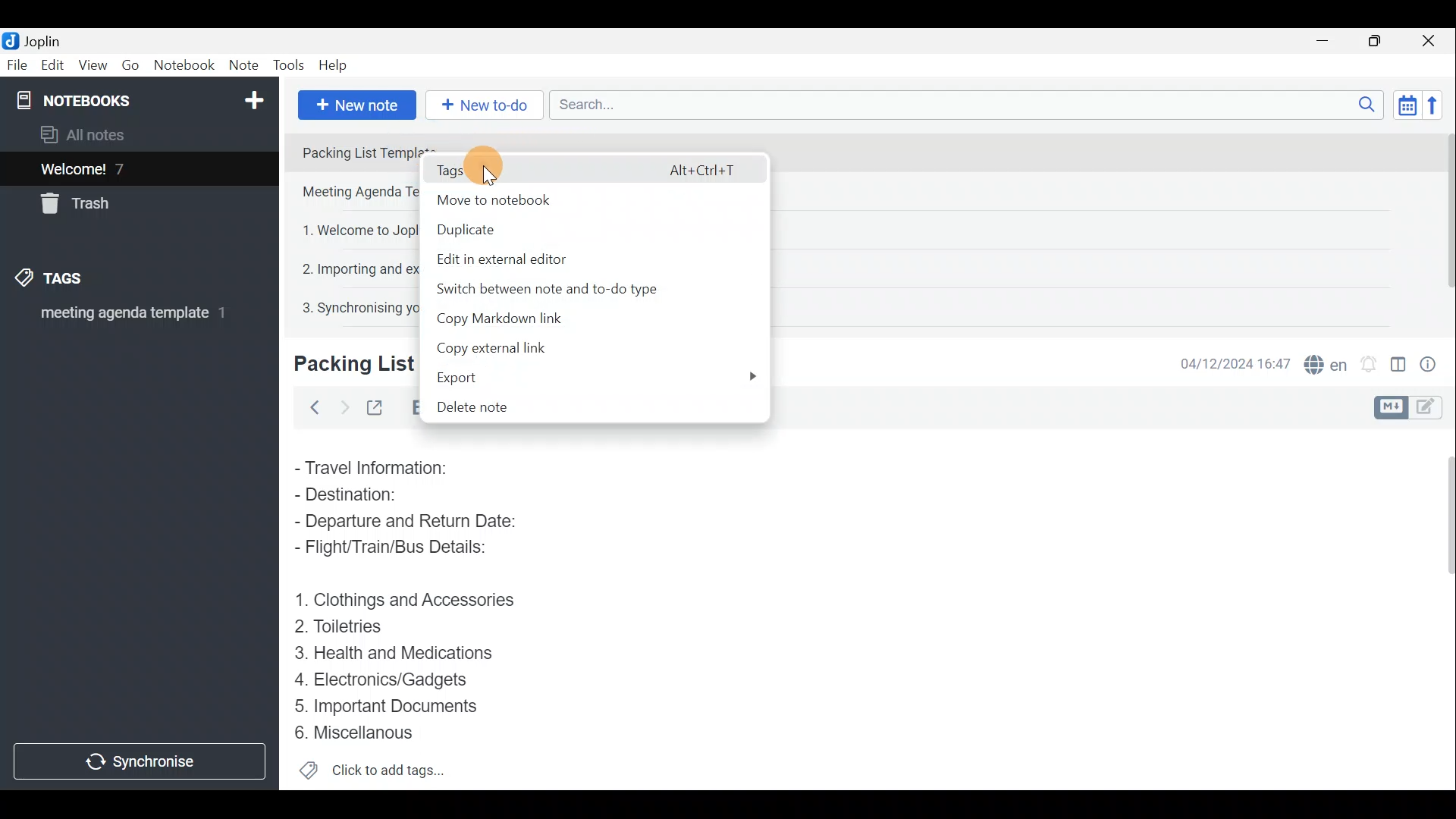 The image size is (1456, 819). I want to click on Clothings and Accessories, so click(408, 599).